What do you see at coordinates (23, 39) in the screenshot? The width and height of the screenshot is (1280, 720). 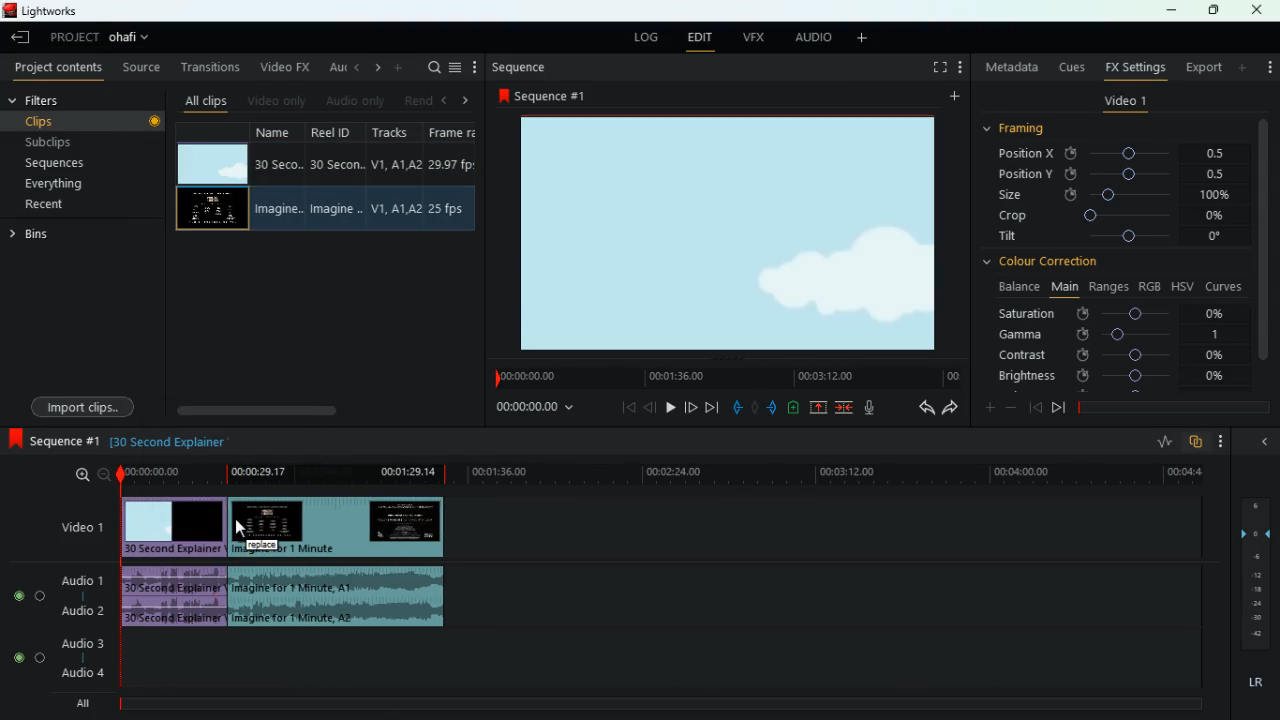 I see `back` at bounding box center [23, 39].